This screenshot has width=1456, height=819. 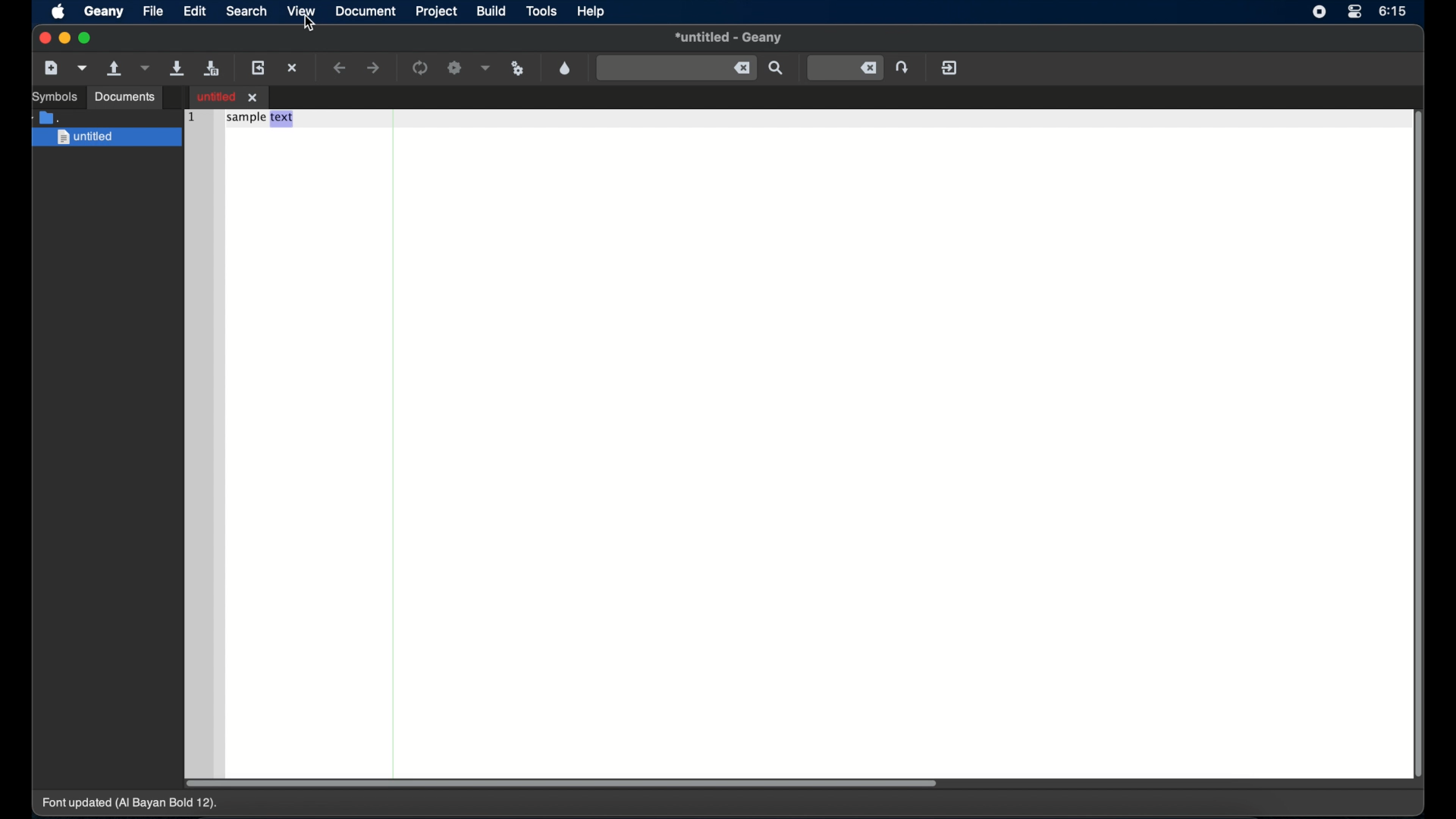 What do you see at coordinates (591, 11) in the screenshot?
I see `help` at bounding box center [591, 11].